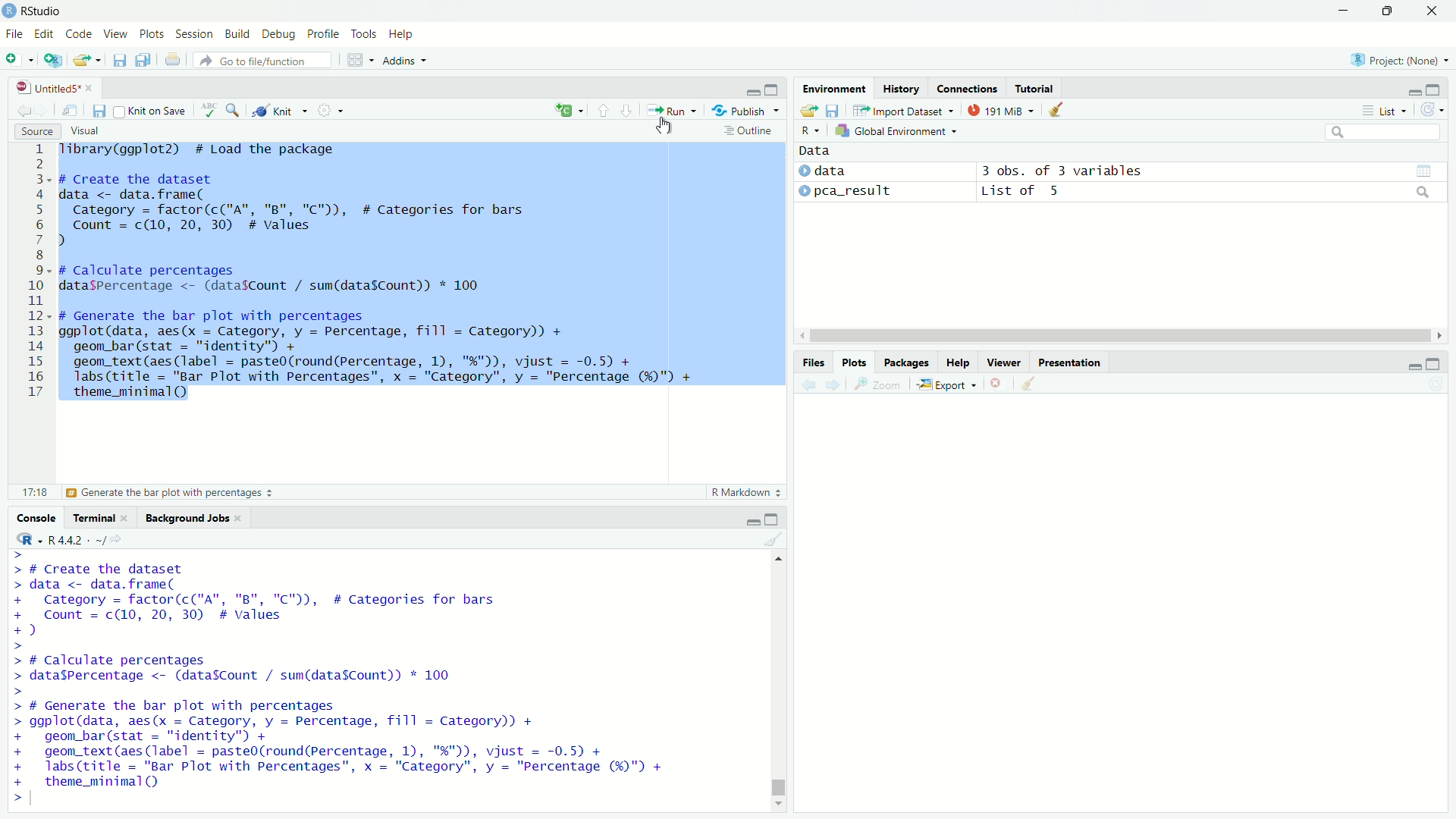 This screenshot has width=1456, height=819. What do you see at coordinates (566, 111) in the screenshot?
I see `language select` at bounding box center [566, 111].